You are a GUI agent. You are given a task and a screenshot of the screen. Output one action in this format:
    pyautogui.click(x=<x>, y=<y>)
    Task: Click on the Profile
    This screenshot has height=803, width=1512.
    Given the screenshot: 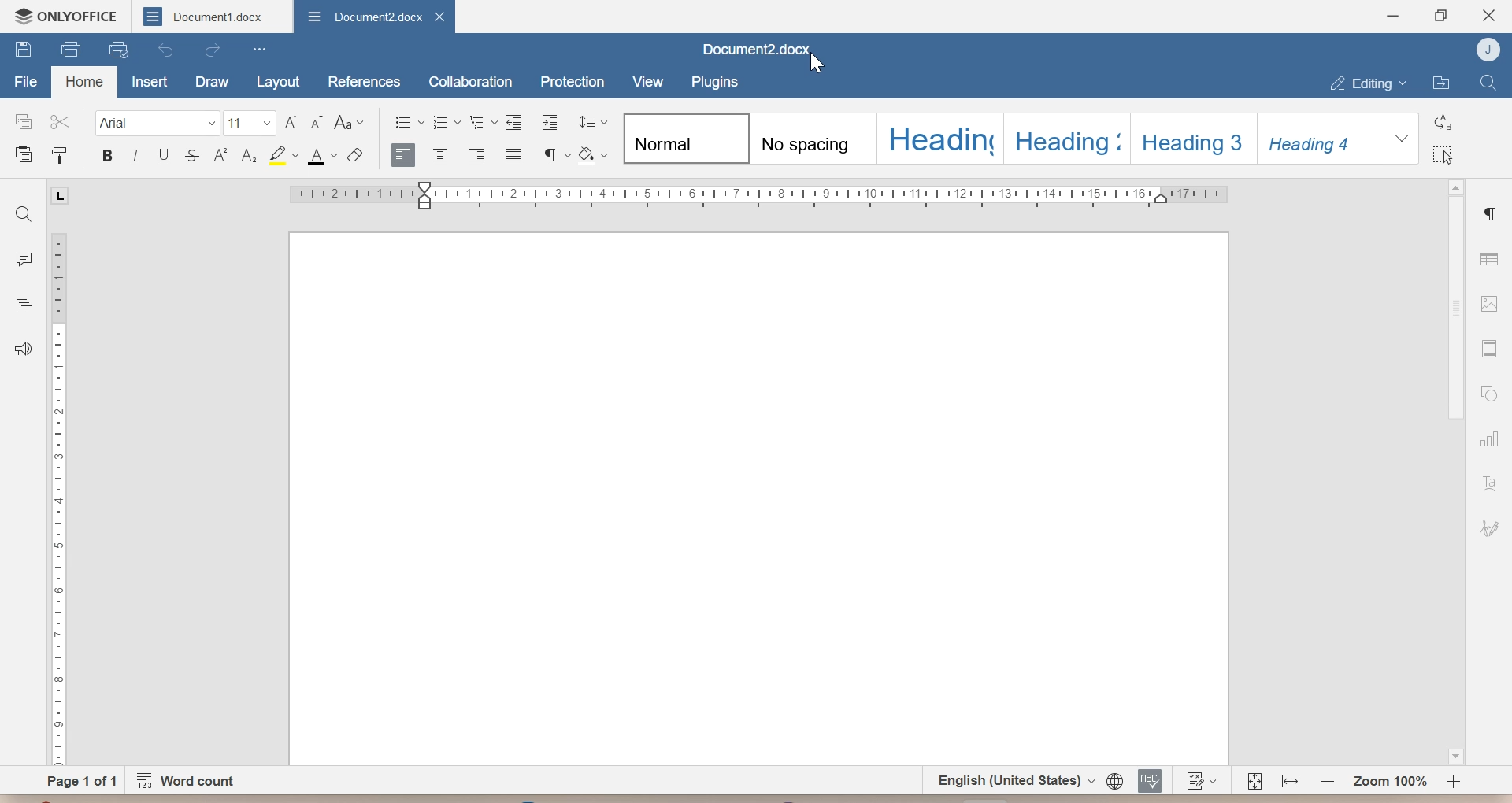 What is the action you would take?
    pyautogui.click(x=1485, y=49)
    